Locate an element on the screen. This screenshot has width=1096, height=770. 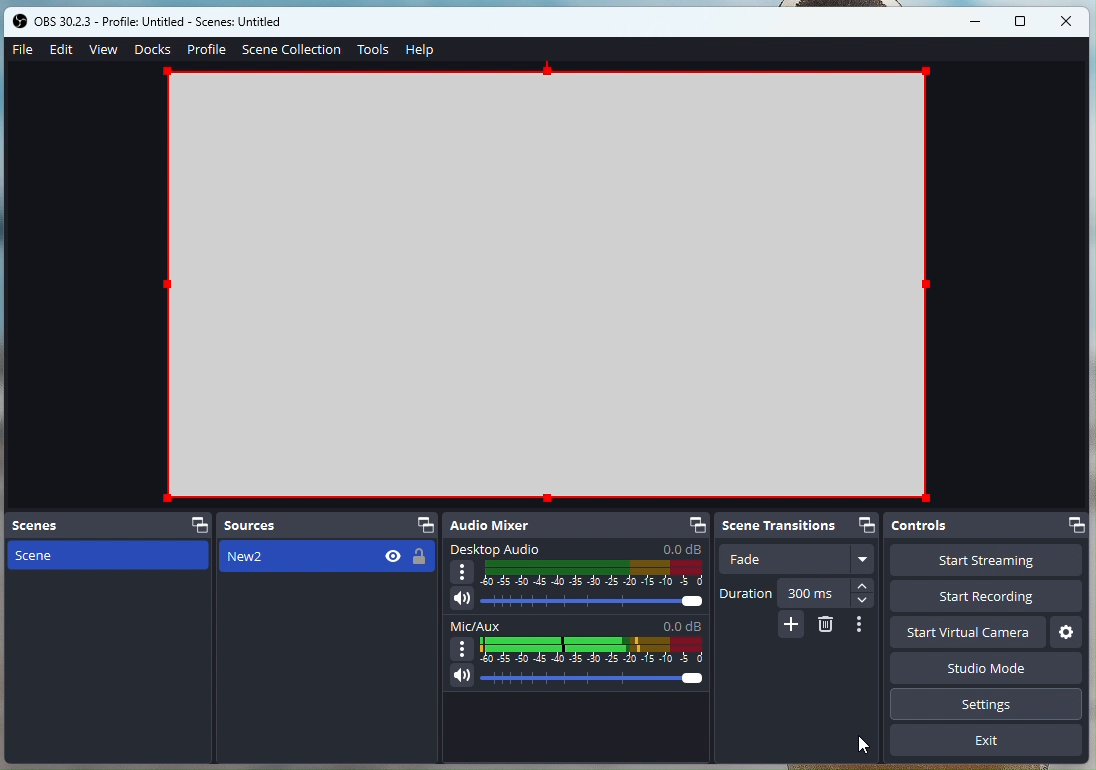
Start streaming is located at coordinates (988, 561).